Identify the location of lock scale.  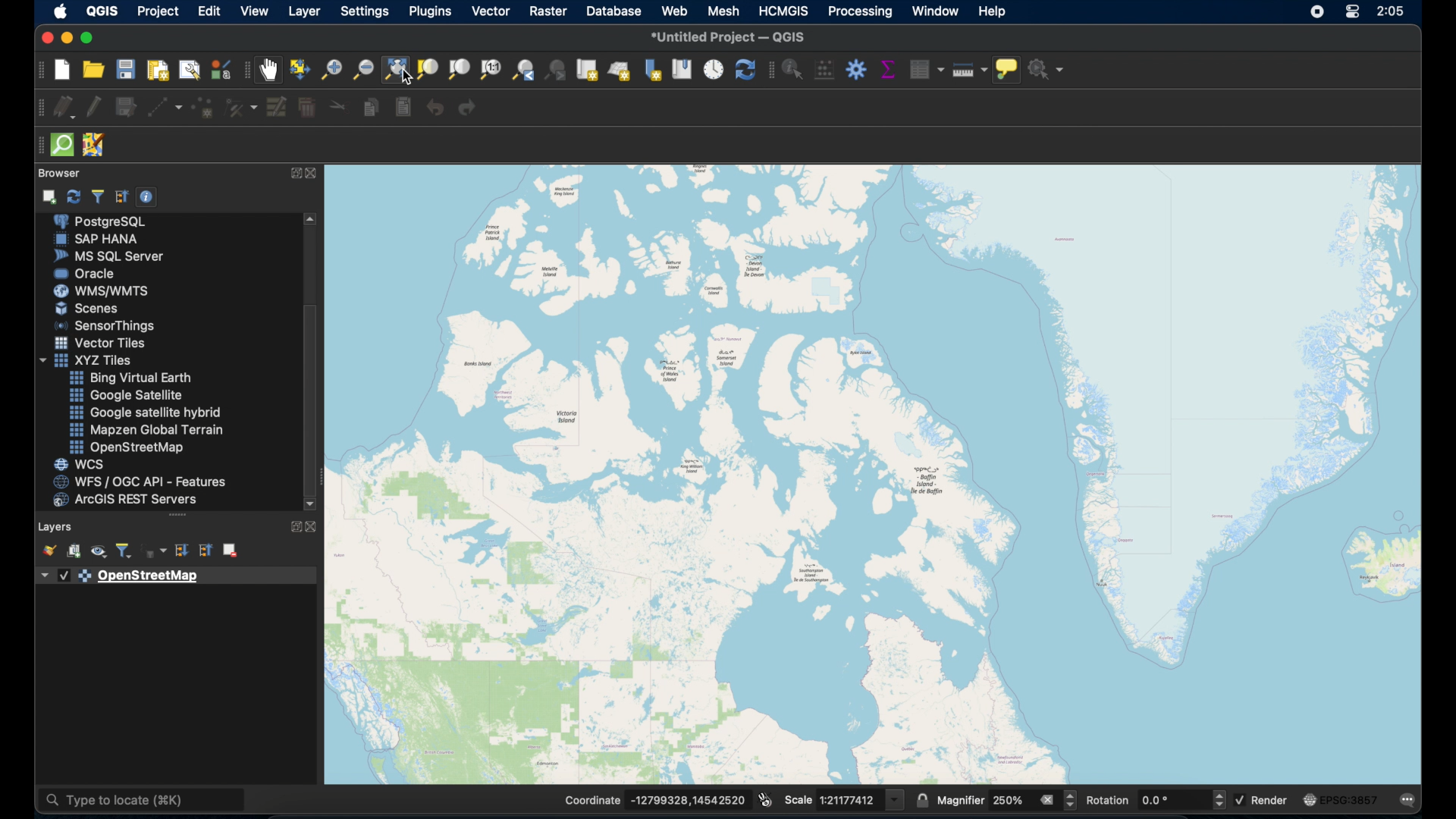
(922, 800).